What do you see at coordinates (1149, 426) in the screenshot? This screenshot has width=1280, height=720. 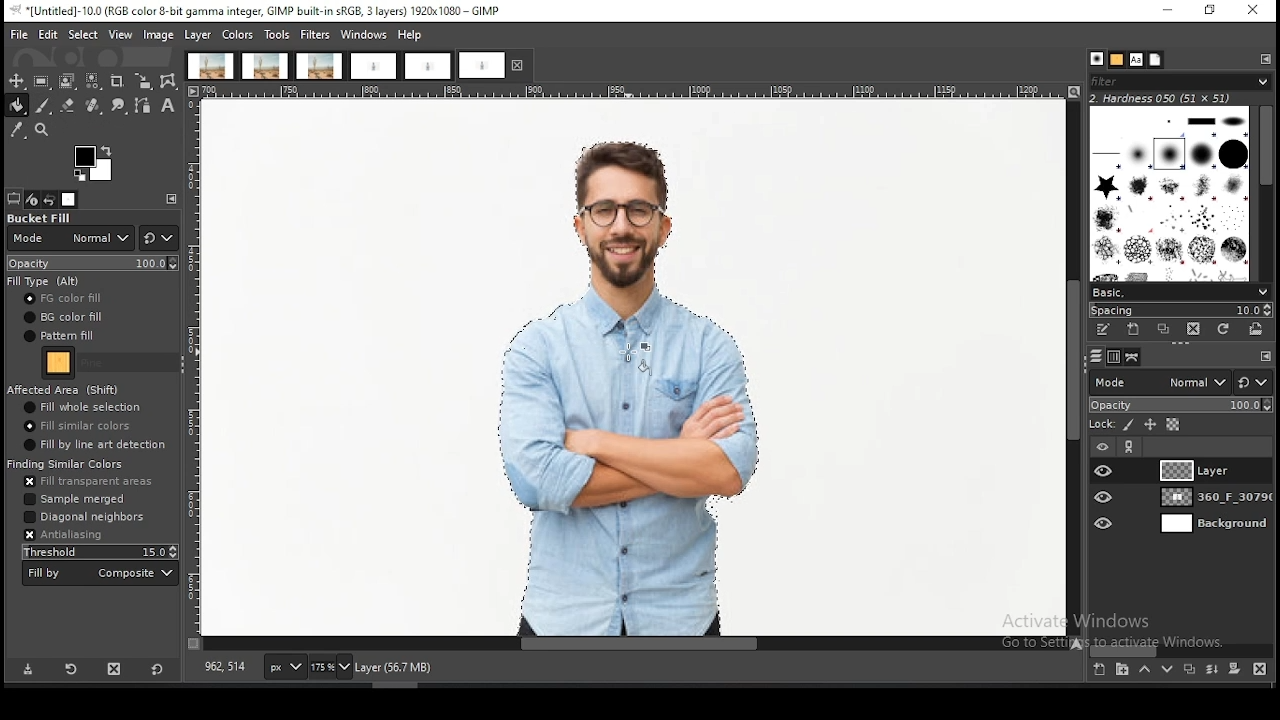 I see `lock position and size` at bounding box center [1149, 426].